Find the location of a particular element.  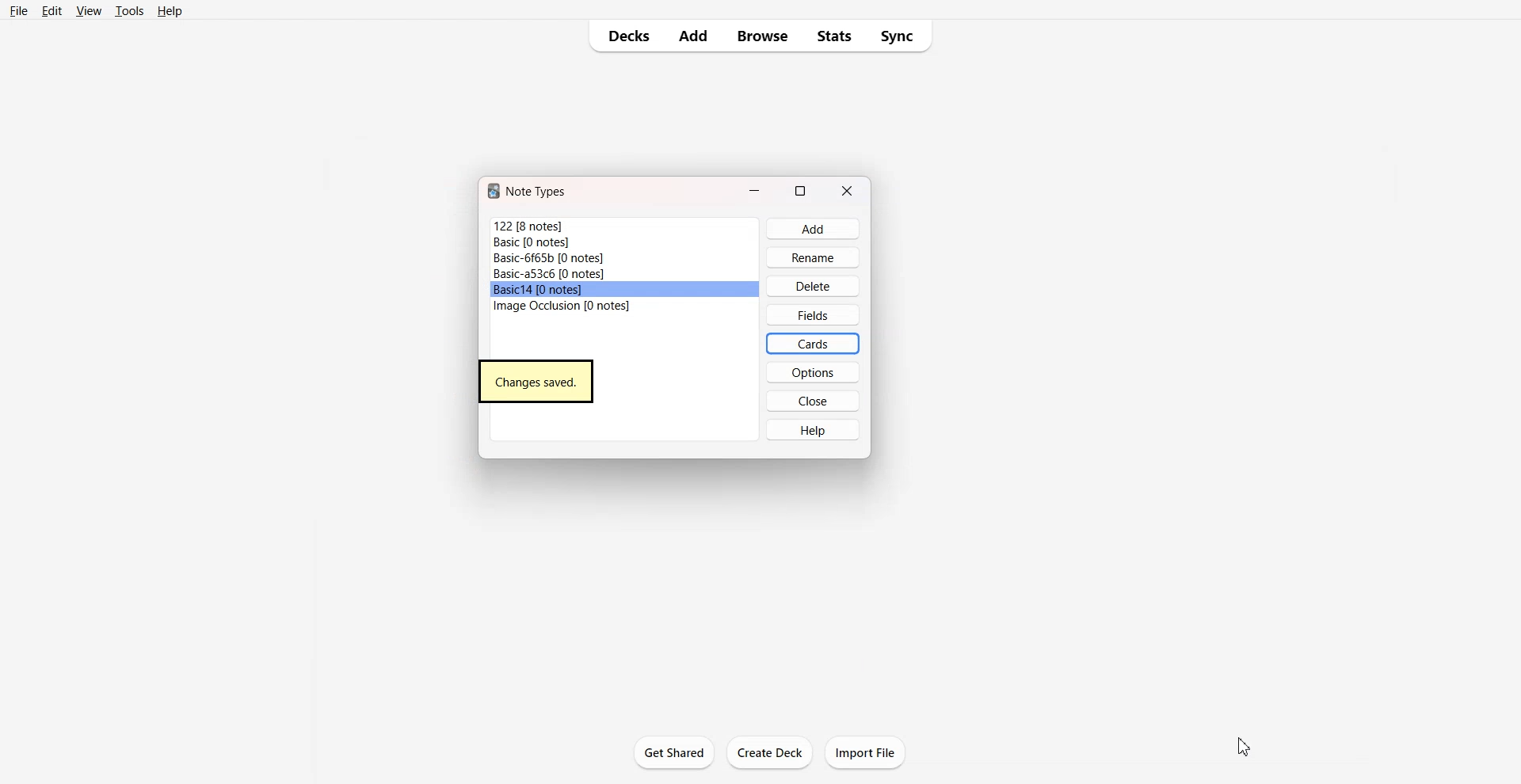

Add is located at coordinates (695, 36).